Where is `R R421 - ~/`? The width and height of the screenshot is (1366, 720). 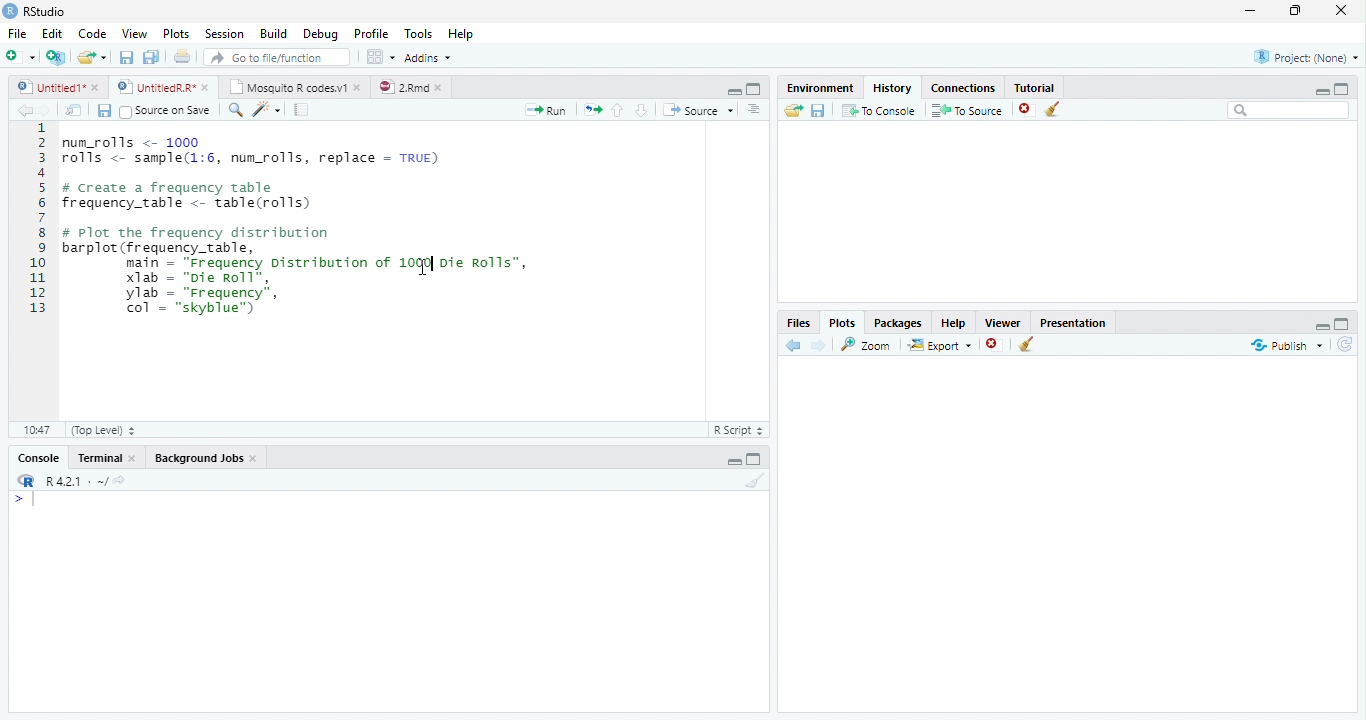 R R421 - ~/ is located at coordinates (69, 481).